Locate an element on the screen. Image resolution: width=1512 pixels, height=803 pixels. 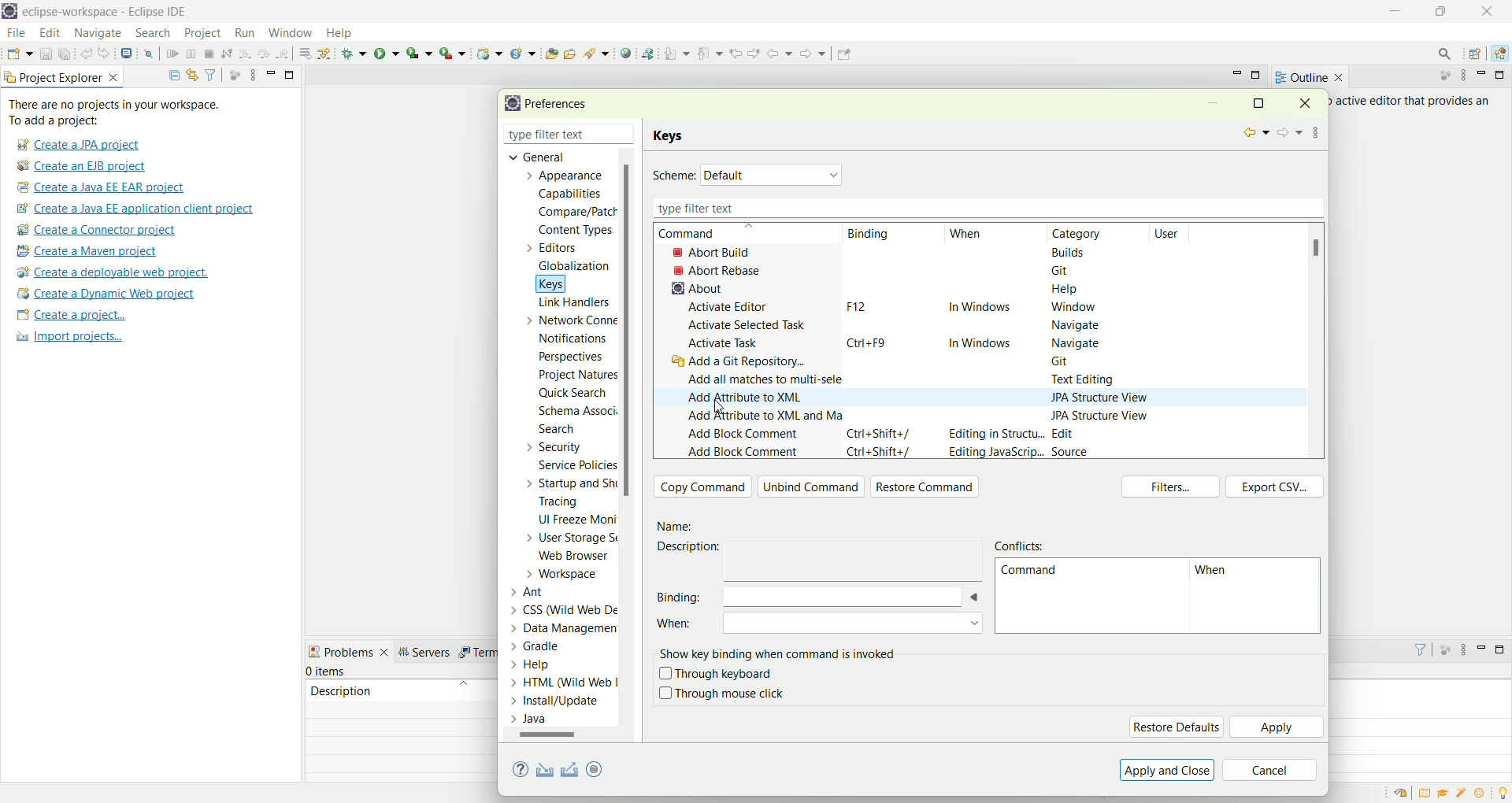
filters is located at coordinates (1174, 488).